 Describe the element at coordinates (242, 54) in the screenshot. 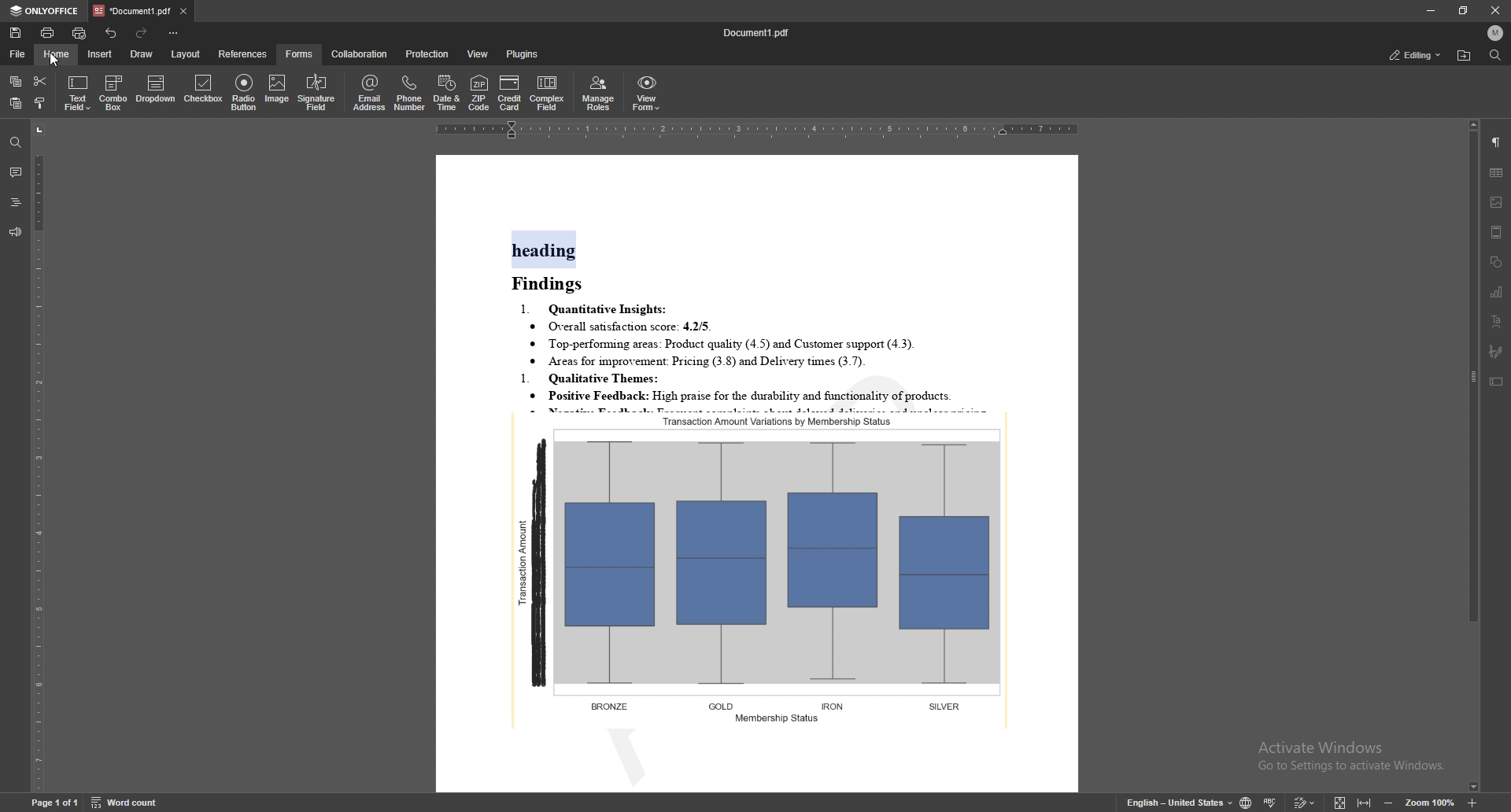

I see `references` at that location.